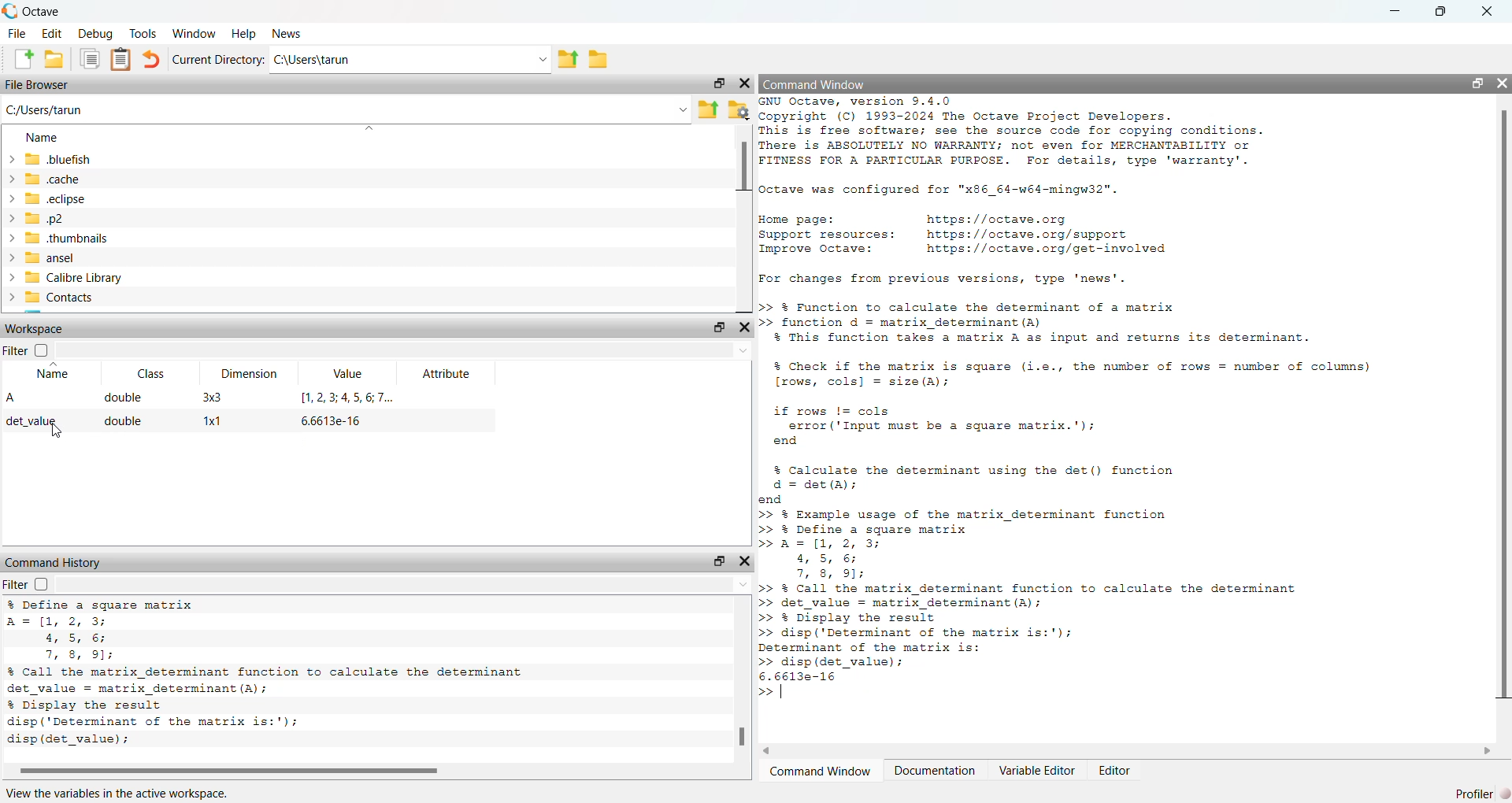 Image resolution: width=1512 pixels, height=803 pixels. Describe the element at coordinates (1439, 12) in the screenshot. I see `maximize` at that location.